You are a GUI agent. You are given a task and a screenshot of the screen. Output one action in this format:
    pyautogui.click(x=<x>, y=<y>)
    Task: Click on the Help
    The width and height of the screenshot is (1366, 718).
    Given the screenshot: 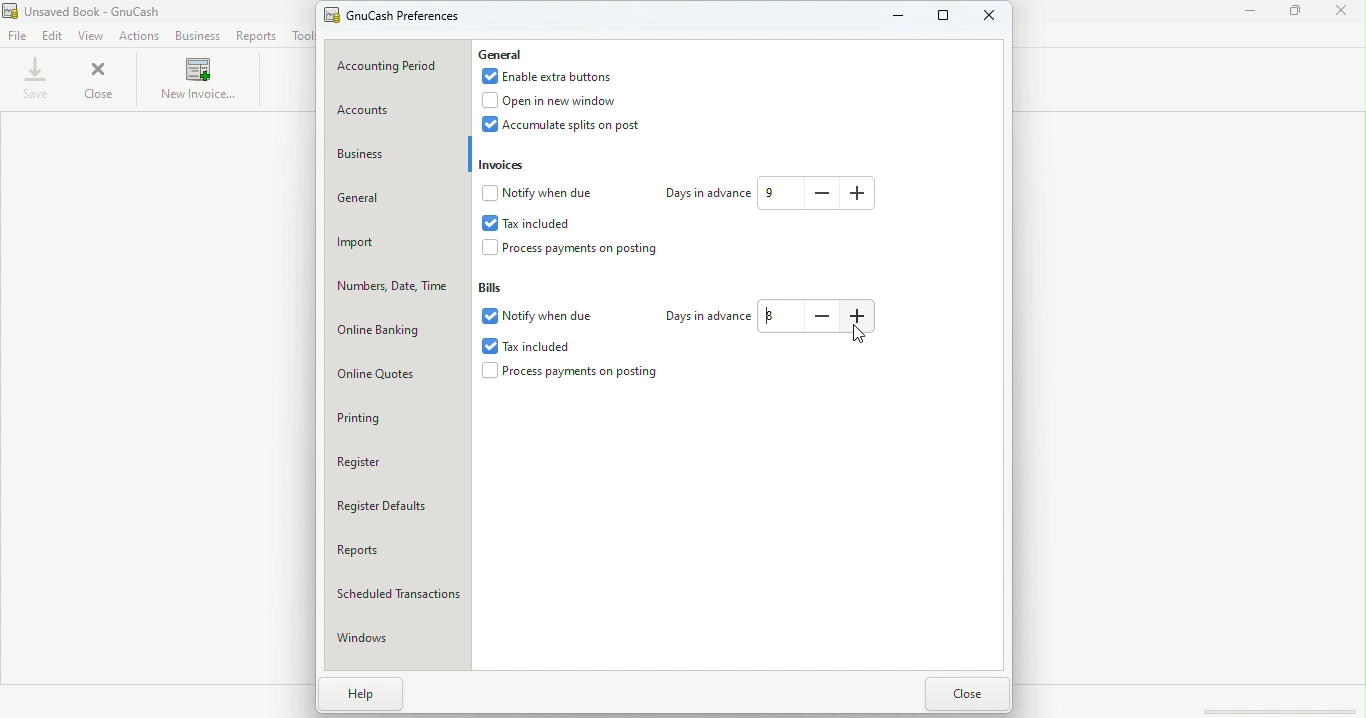 What is the action you would take?
    pyautogui.click(x=355, y=693)
    